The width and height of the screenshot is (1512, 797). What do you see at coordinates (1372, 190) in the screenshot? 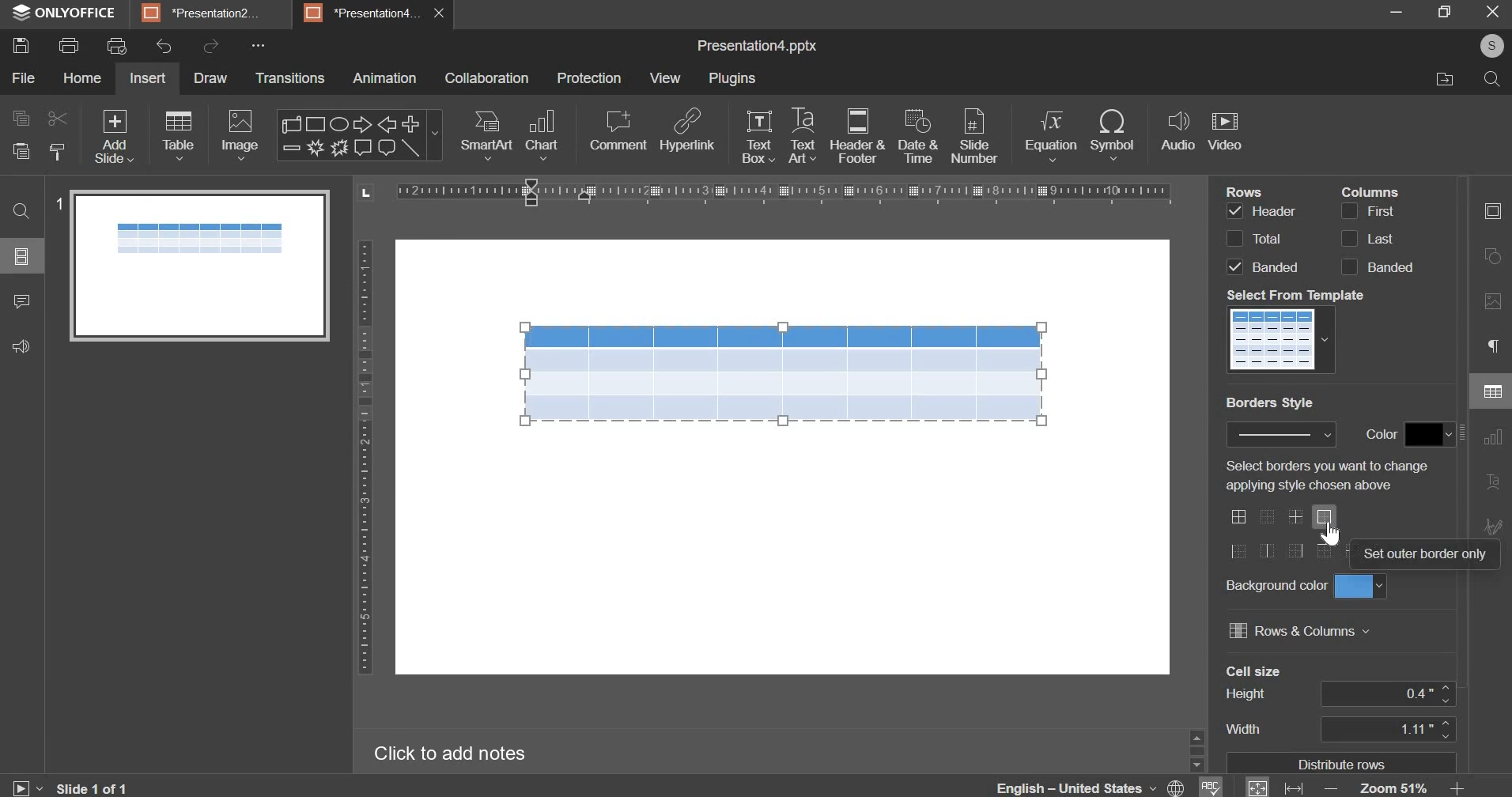
I see `columns` at bounding box center [1372, 190].